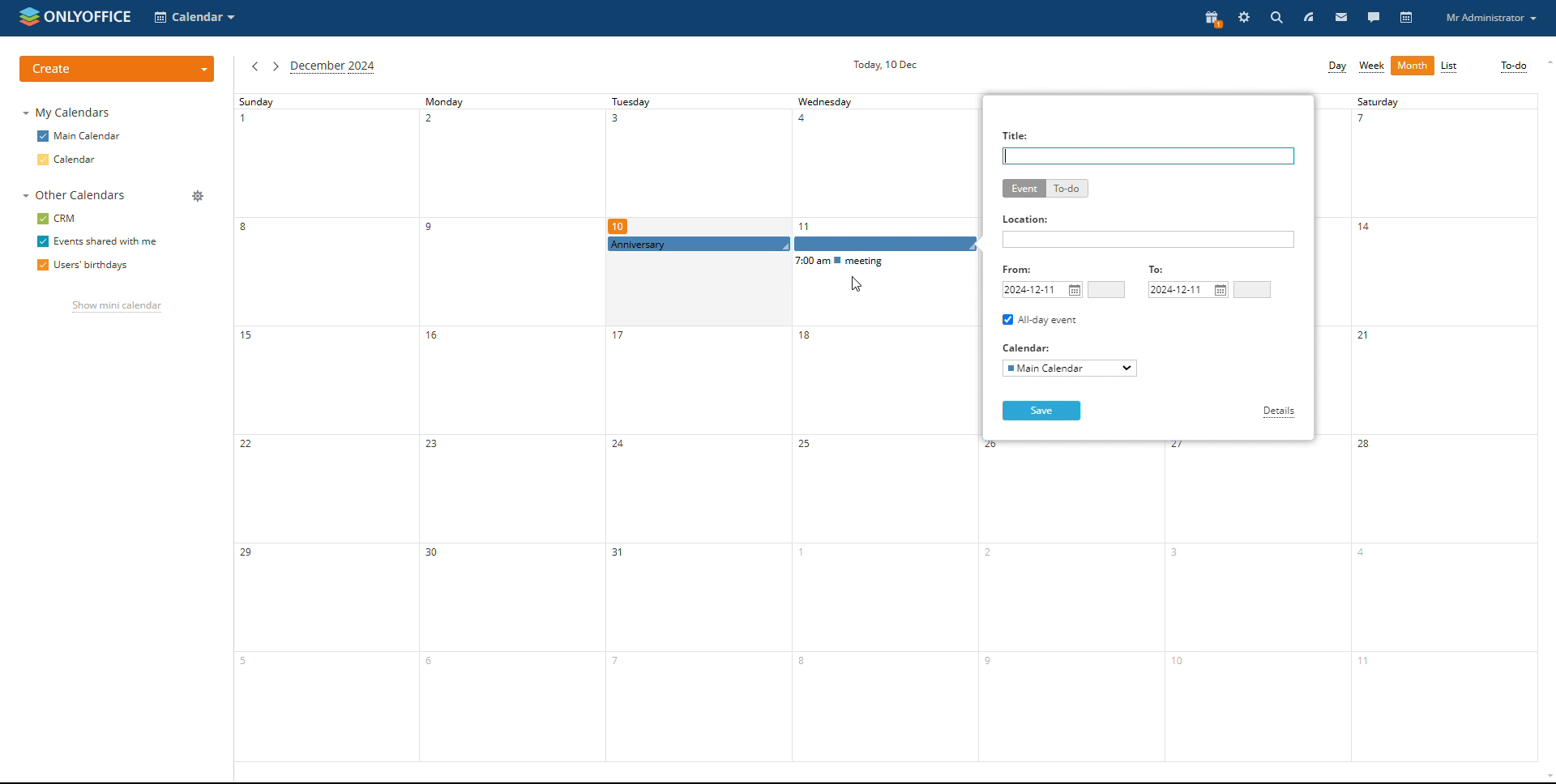 Image resolution: width=1556 pixels, height=784 pixels. Describe the element at coordinates (1252, 289) in the screenshot. I see `end time` at that location.